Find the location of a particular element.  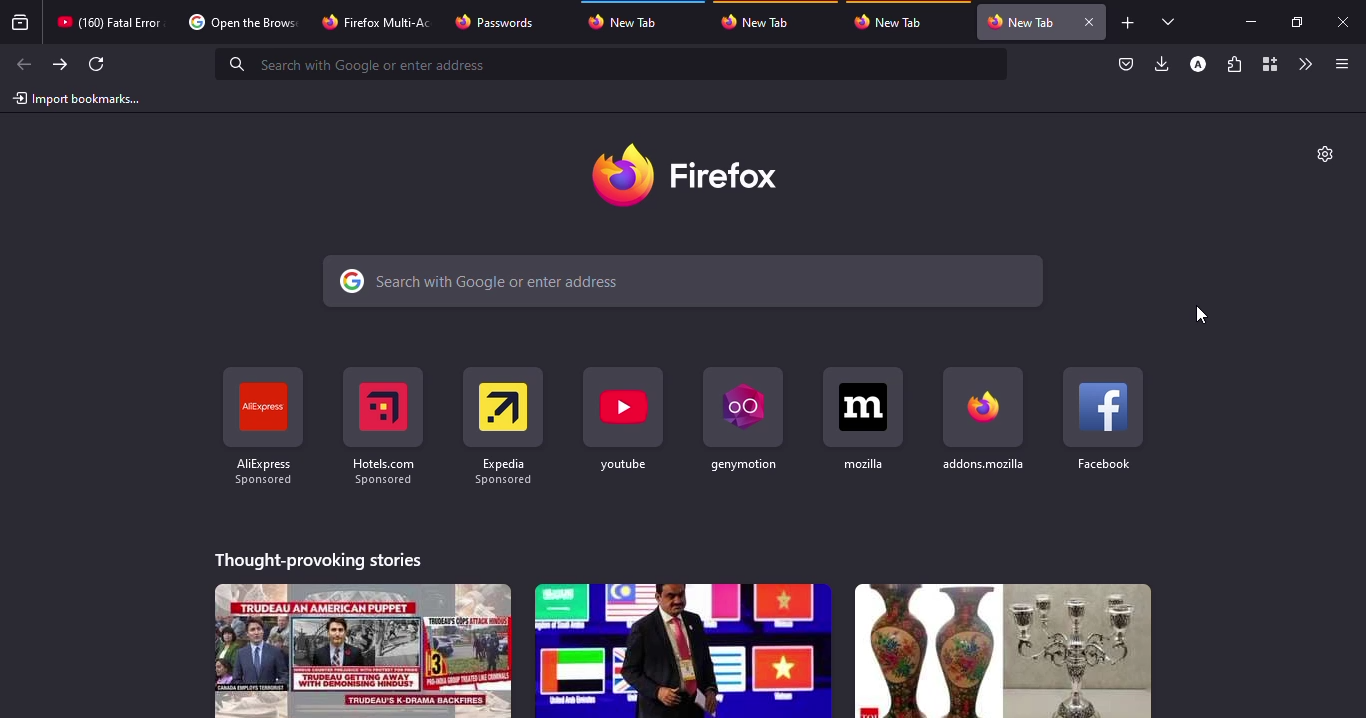

view recent browsing history is located at coordinates (21, 23).